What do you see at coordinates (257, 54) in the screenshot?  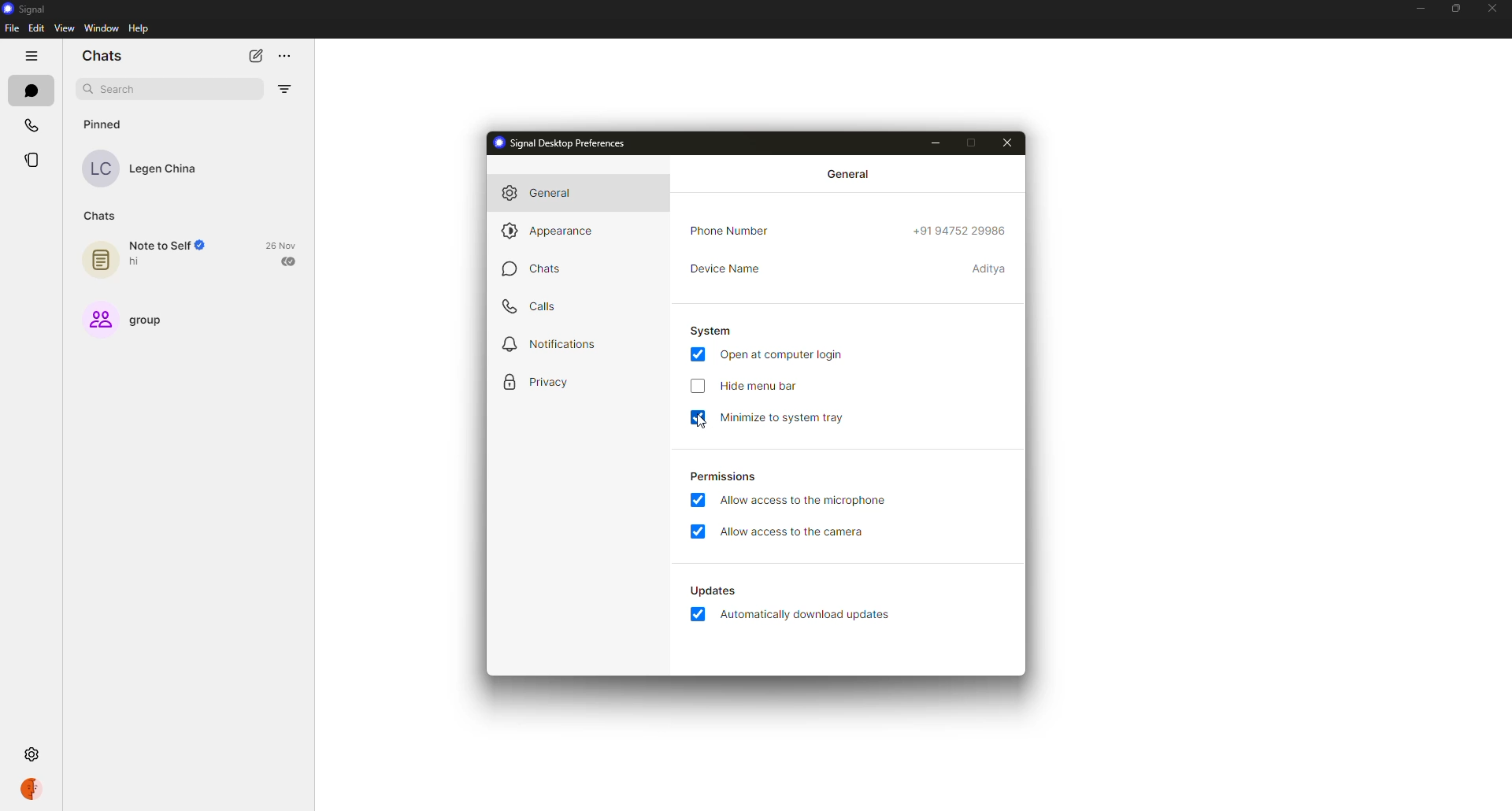 I see `new chat` at bounding box center [257, 54].